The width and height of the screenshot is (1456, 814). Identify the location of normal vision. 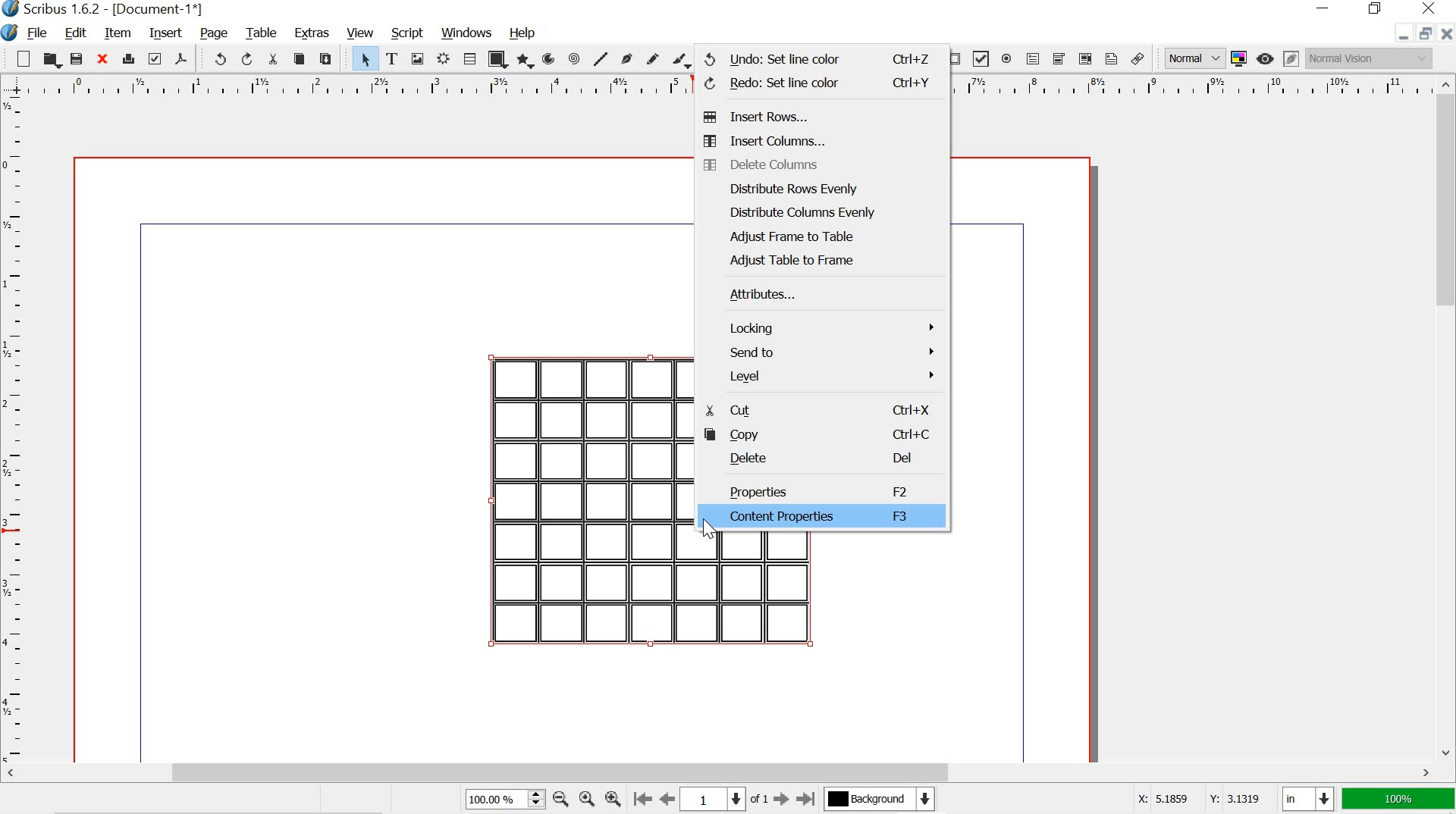
(1370, 58).